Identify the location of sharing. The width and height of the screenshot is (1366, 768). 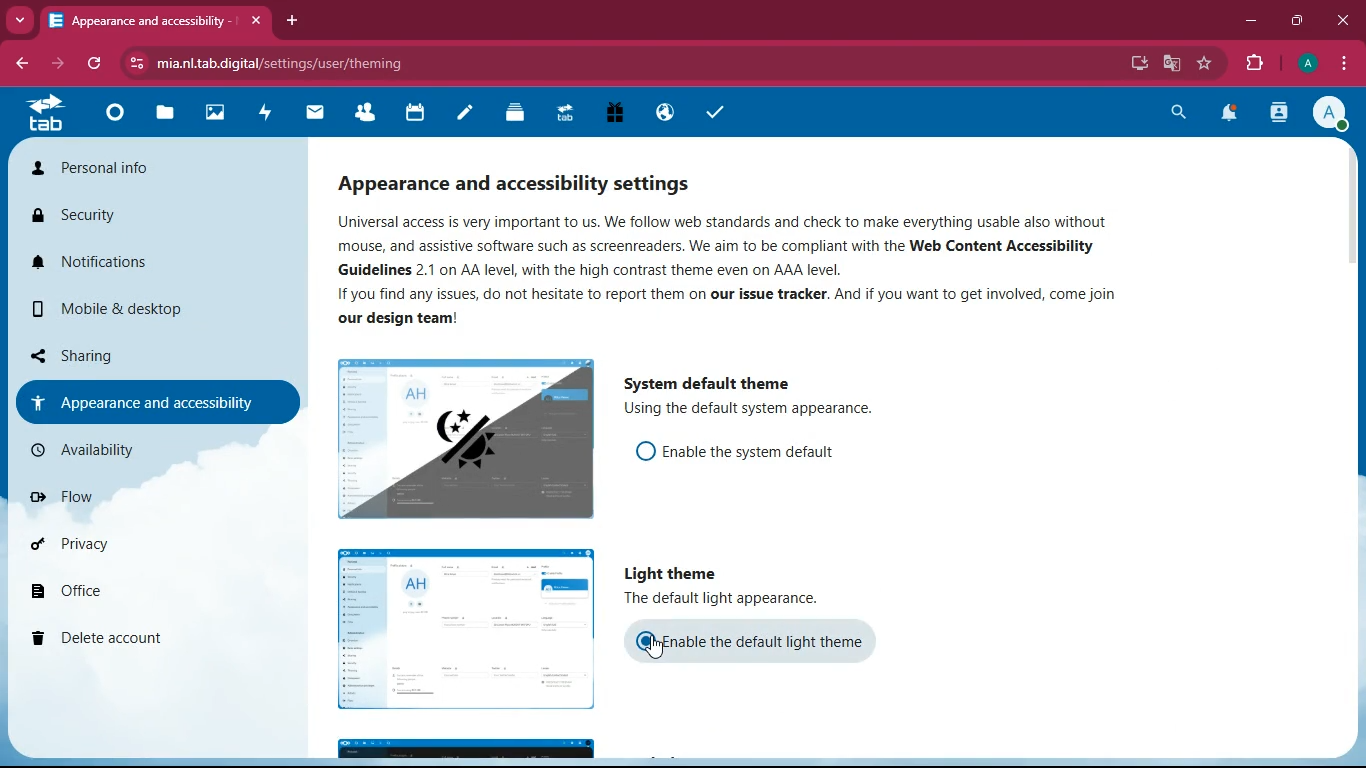
(143, 354).